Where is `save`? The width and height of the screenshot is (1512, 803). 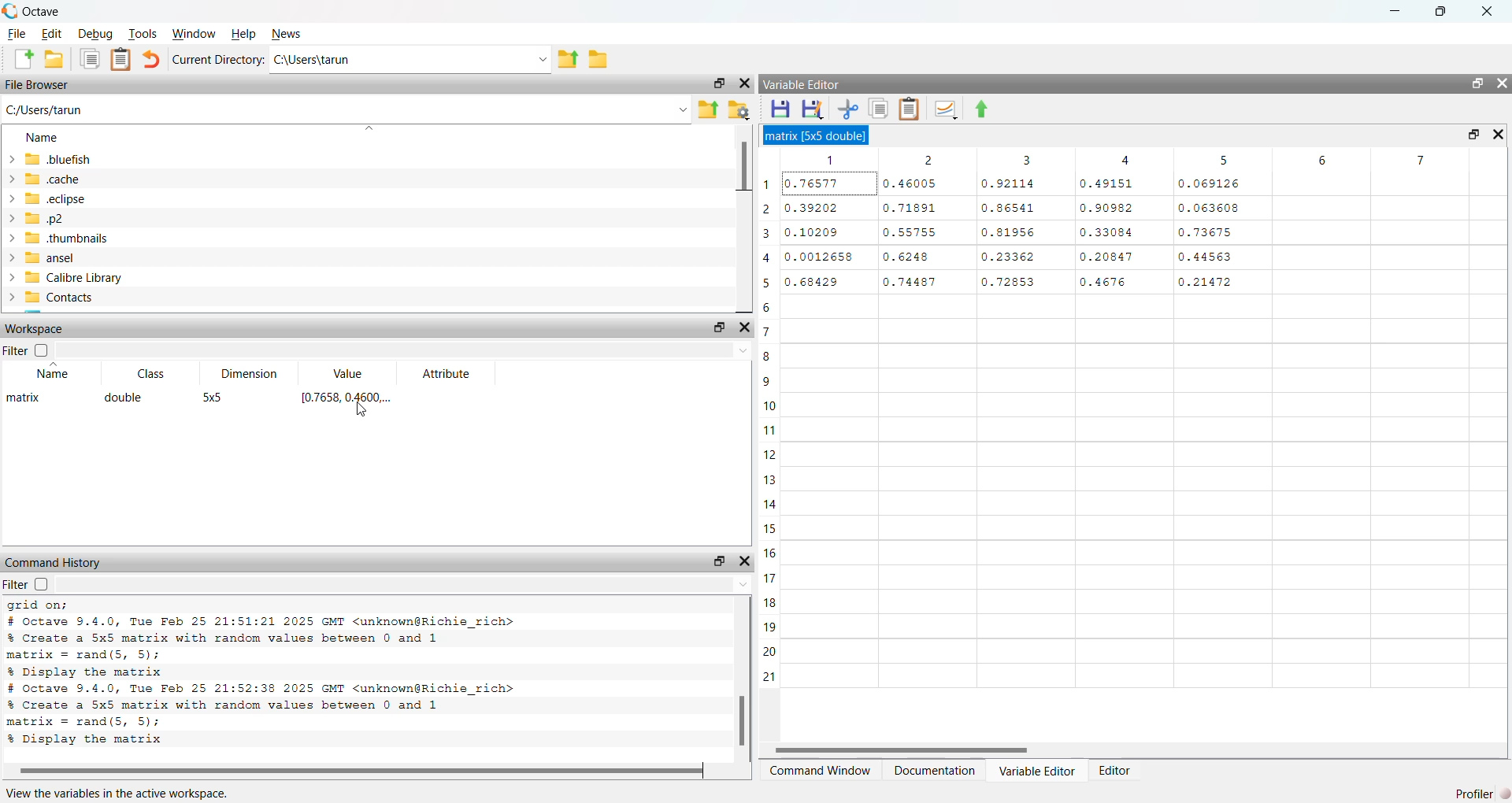 save is located at coordinates (782, 109).